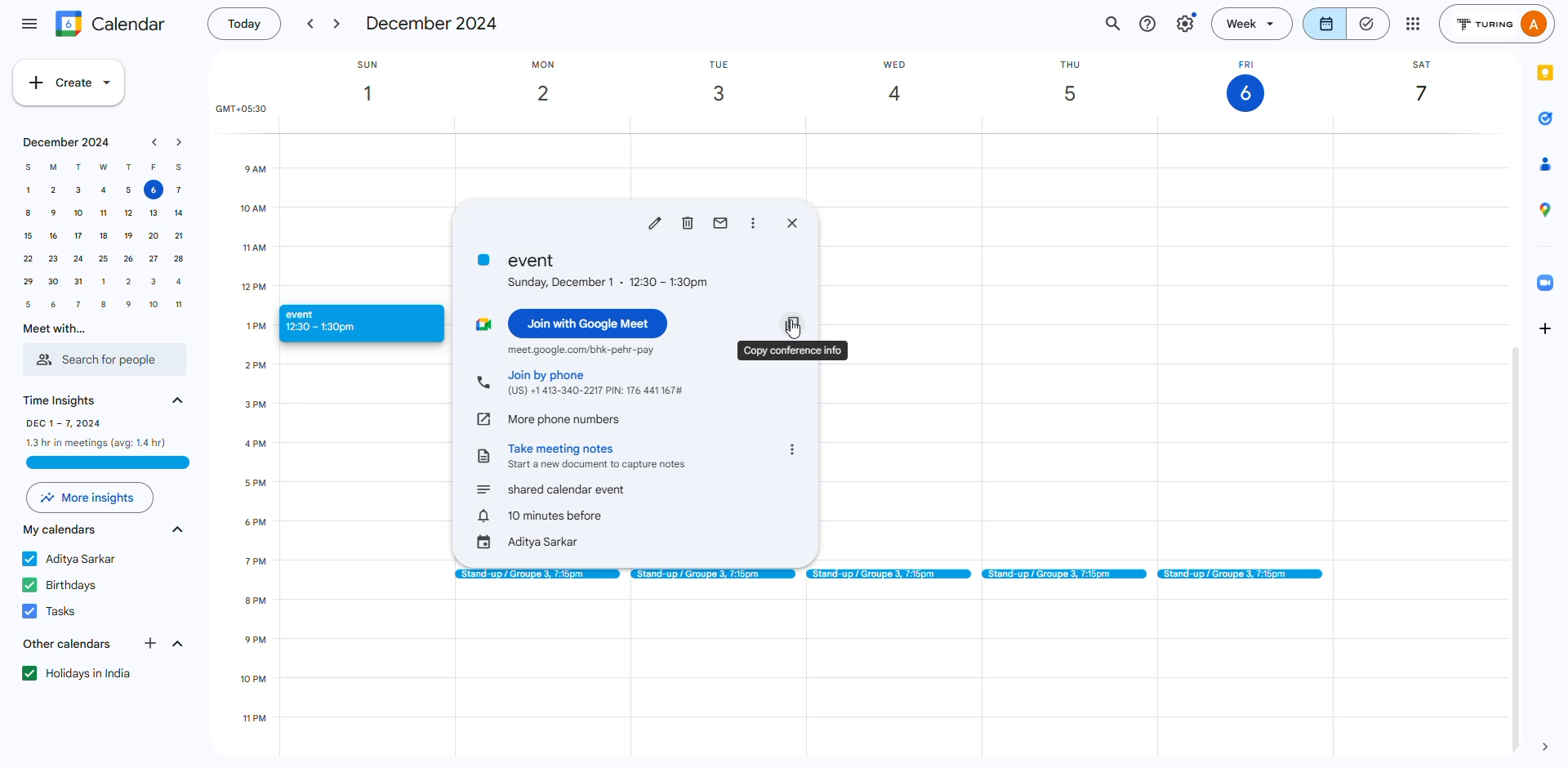 This screenshot has height=768, width=1568. I want to click on 6, so click(153, 191).